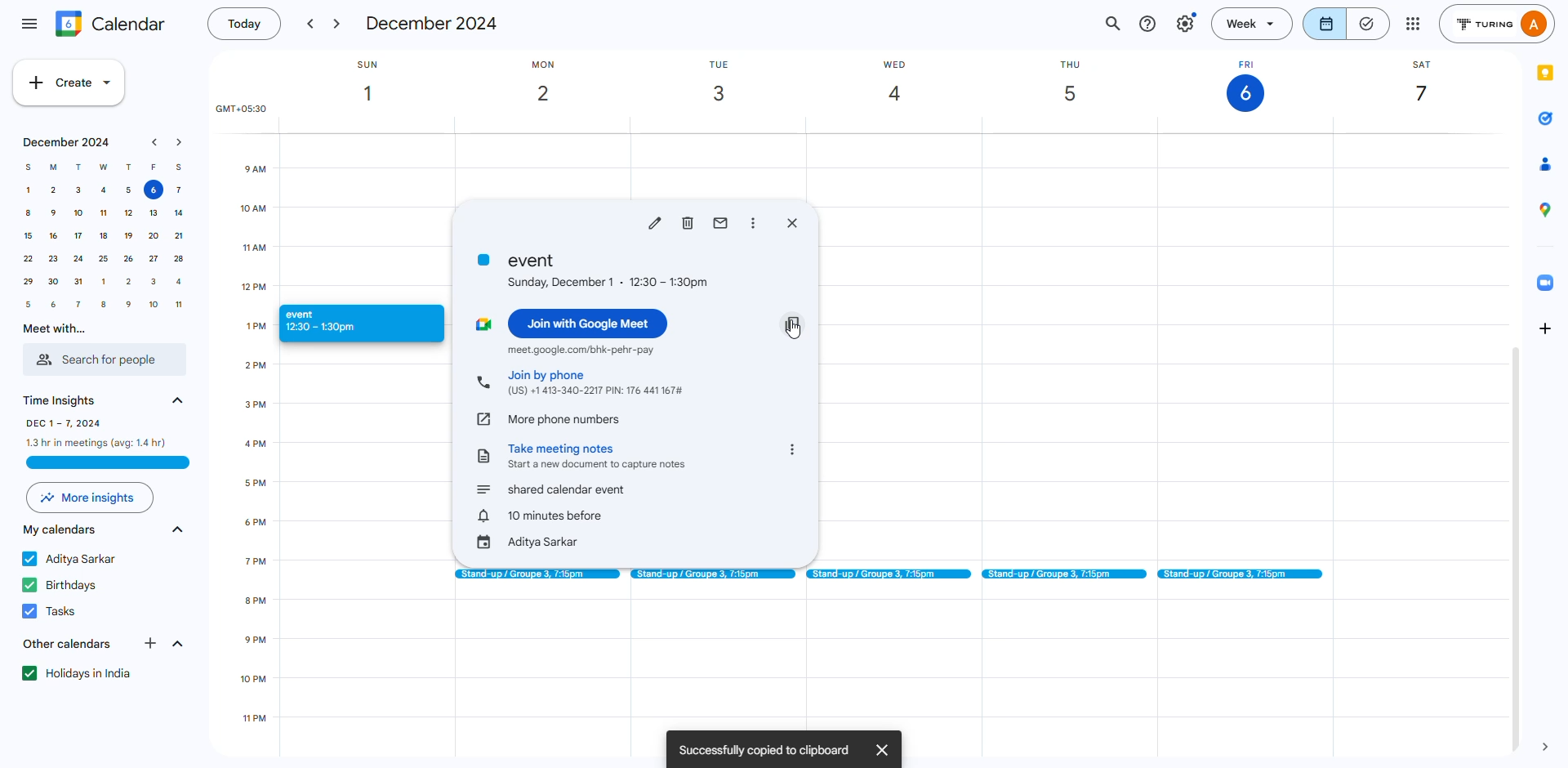 Image resolution: width=1568 pixels, height=768 pixels. What do you see at coordinates (1546, 74) in the screenshot?
I see `app` at bounding box center [1546, 74].